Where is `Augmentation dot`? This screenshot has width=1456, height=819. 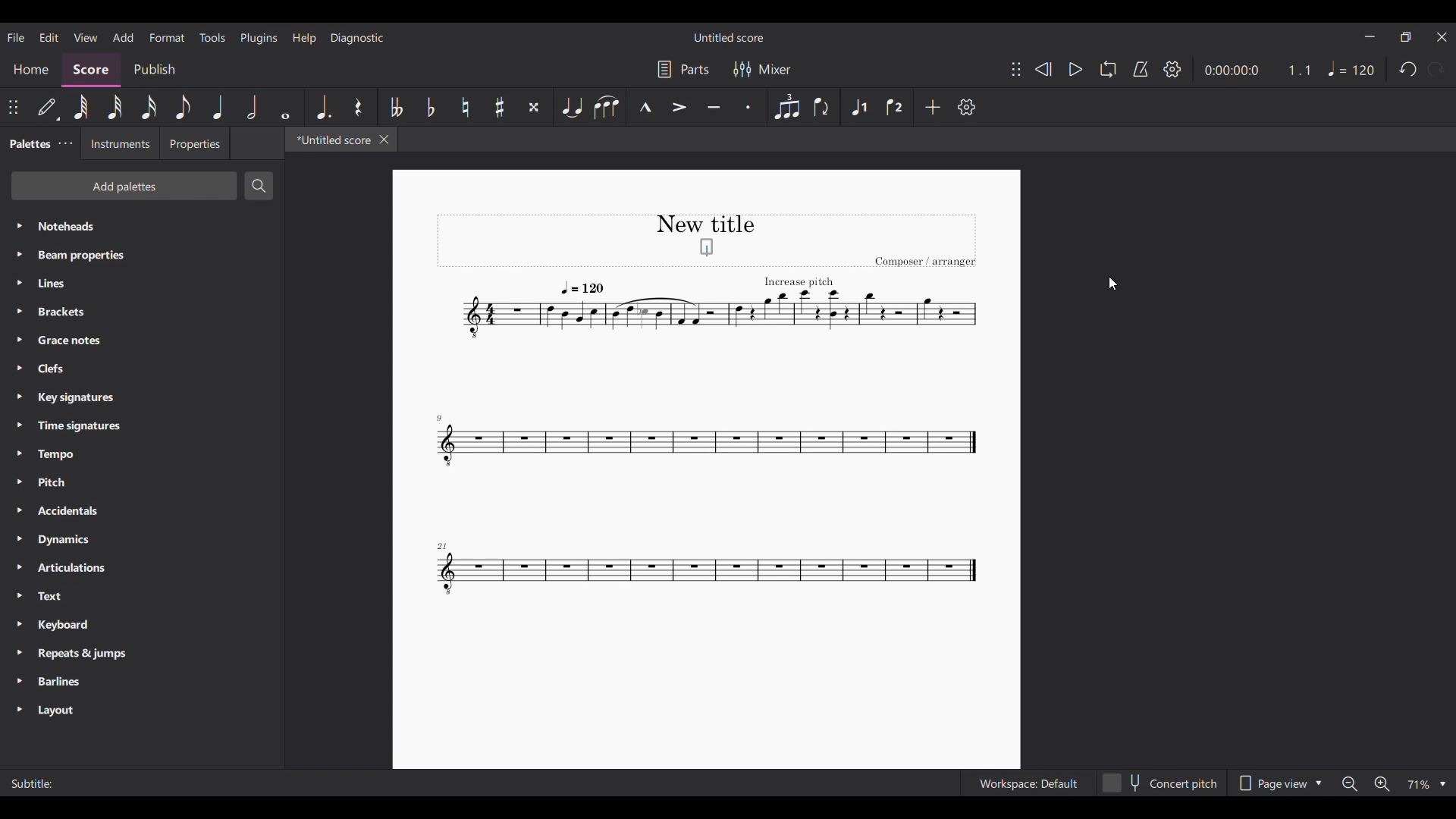
Augmentation dot is located at coordinates (322, 107).